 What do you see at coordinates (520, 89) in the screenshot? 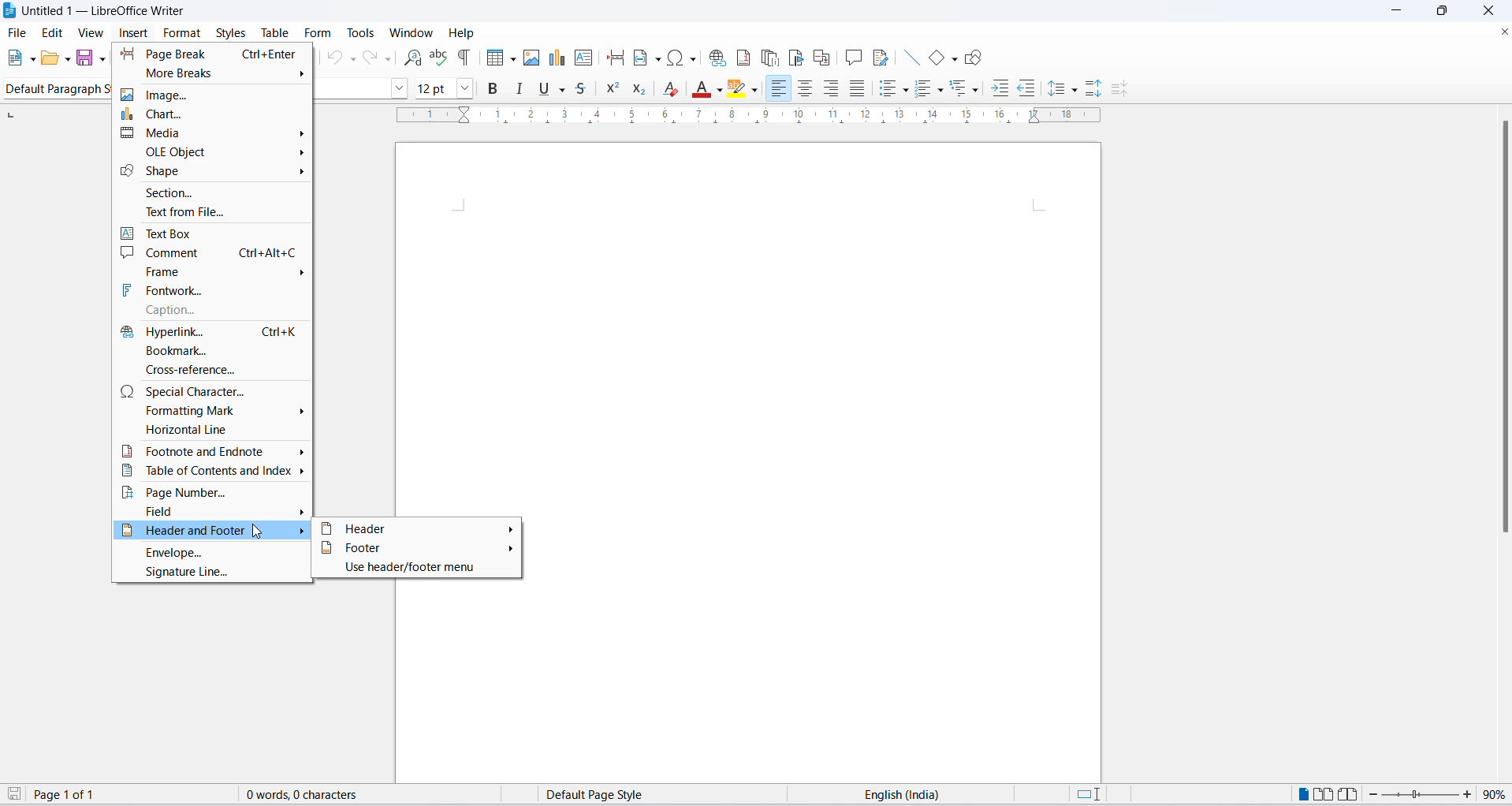
I see `italic` at bounding box center [520, 89].